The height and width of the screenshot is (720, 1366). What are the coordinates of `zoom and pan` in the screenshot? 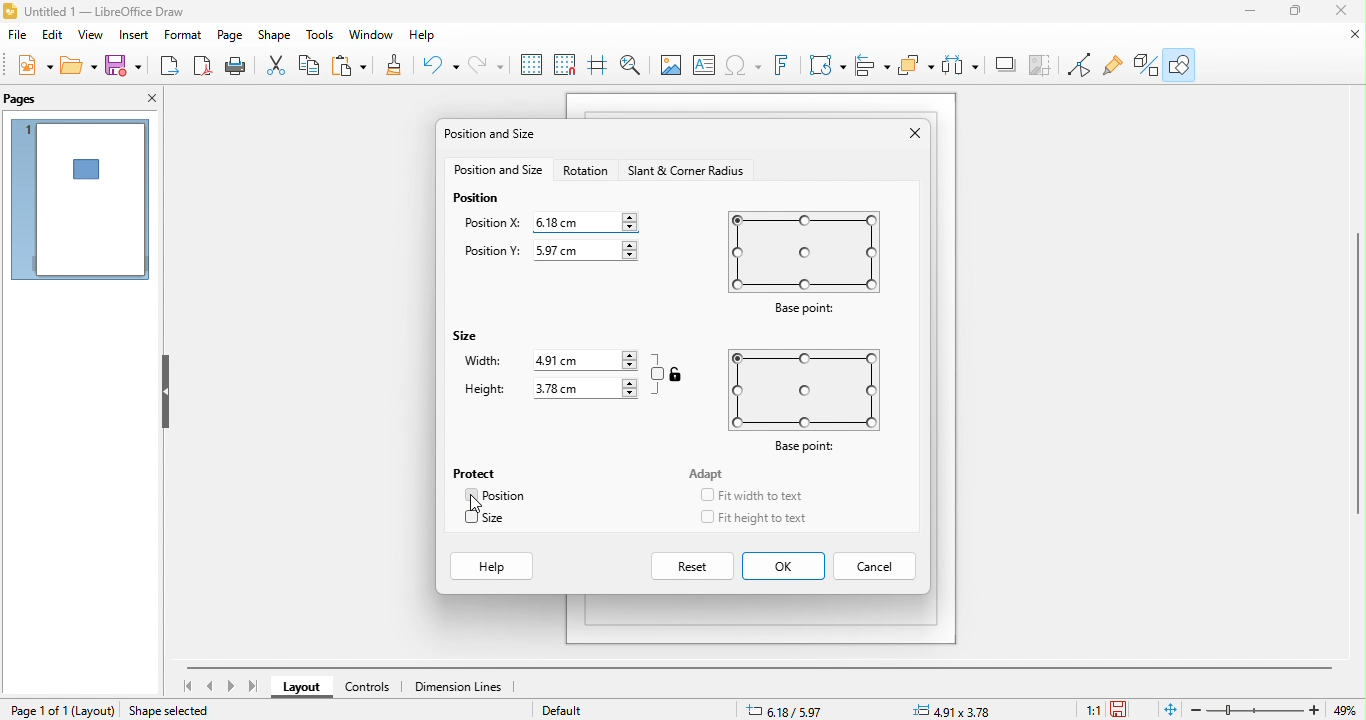 It's located at (636, 67).